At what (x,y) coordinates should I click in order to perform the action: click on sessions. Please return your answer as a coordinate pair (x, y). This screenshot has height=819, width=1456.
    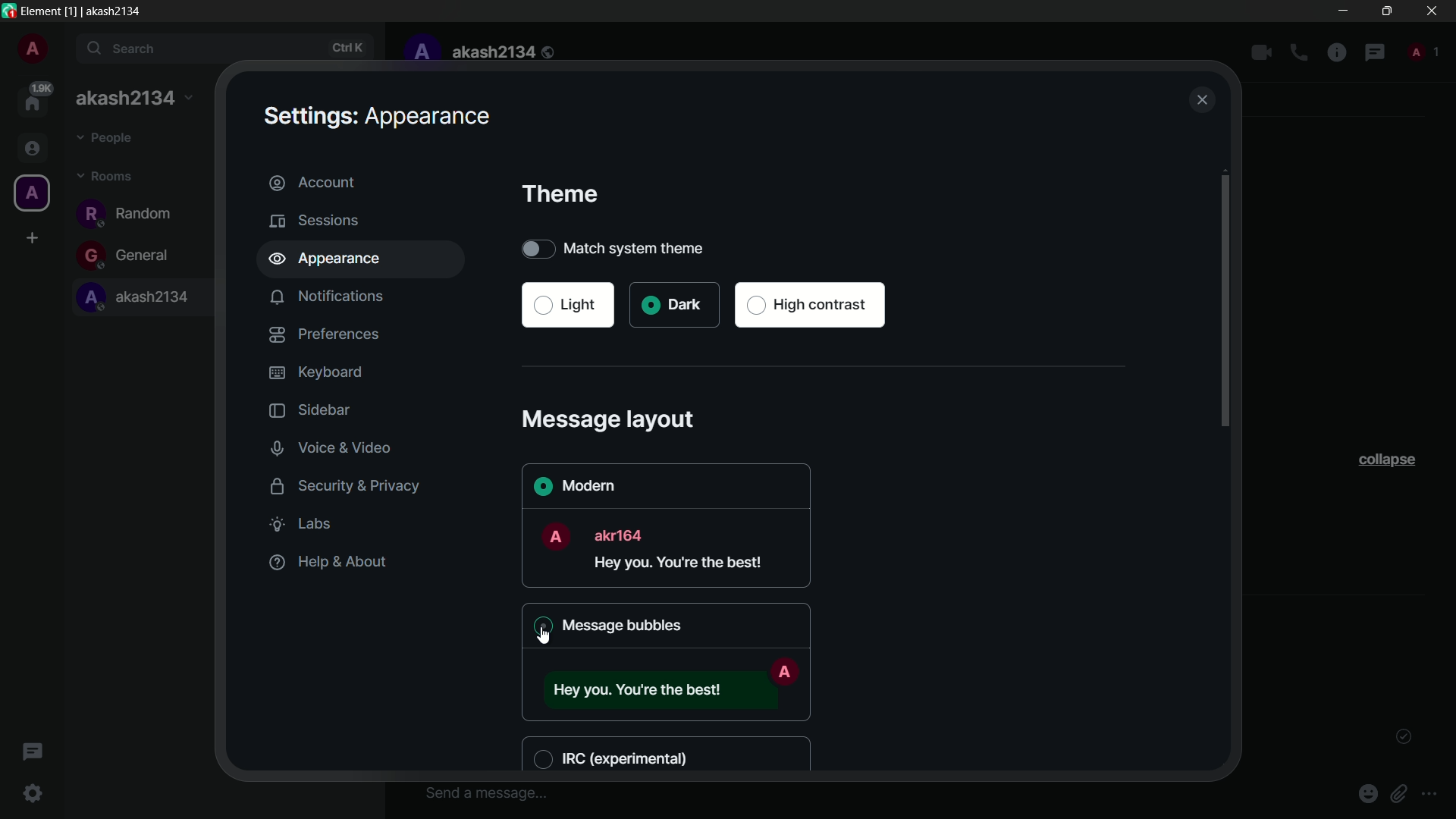
    Looking at the image, I should click on (315, 220).